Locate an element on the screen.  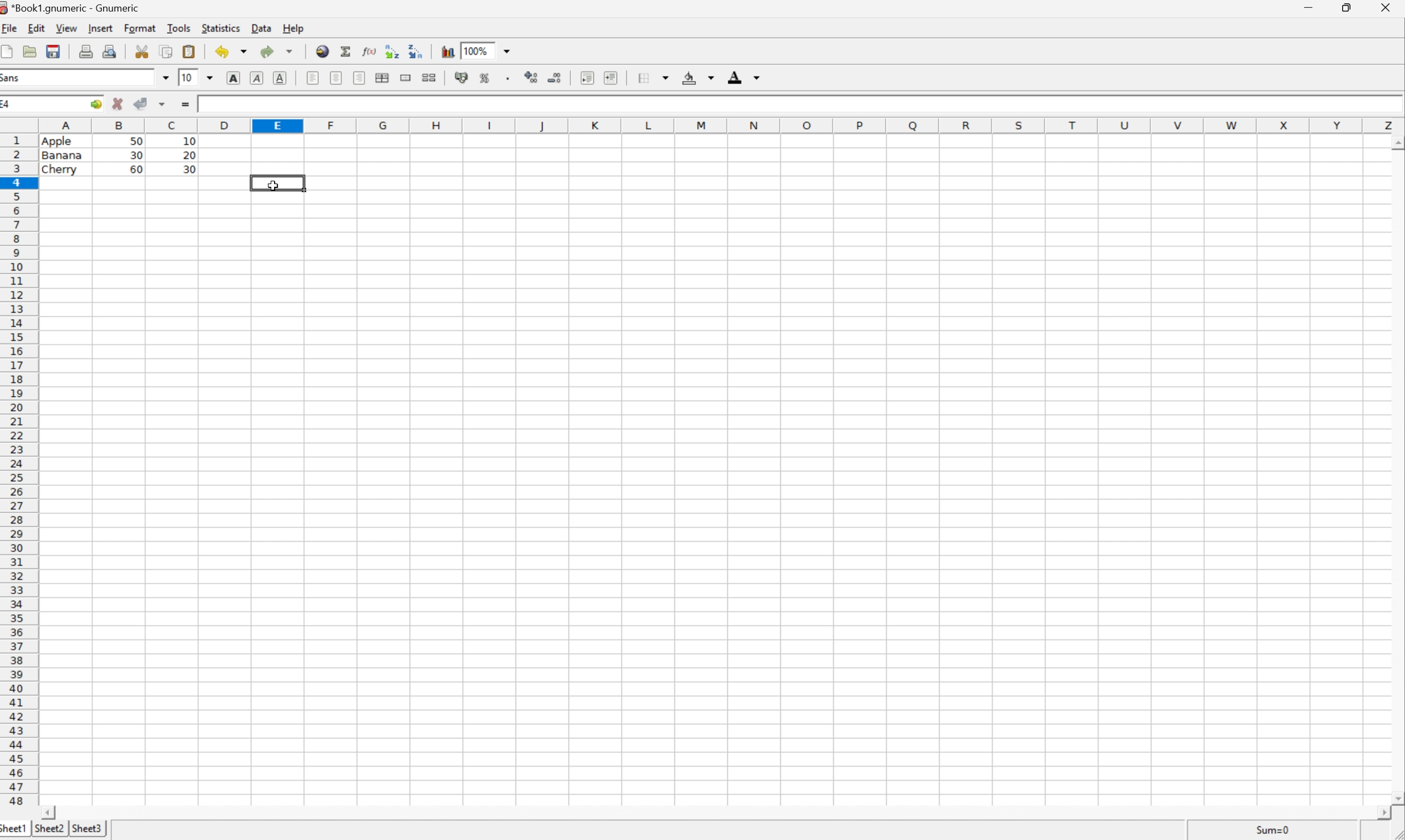
print preview is located at coordinates (111, 50).